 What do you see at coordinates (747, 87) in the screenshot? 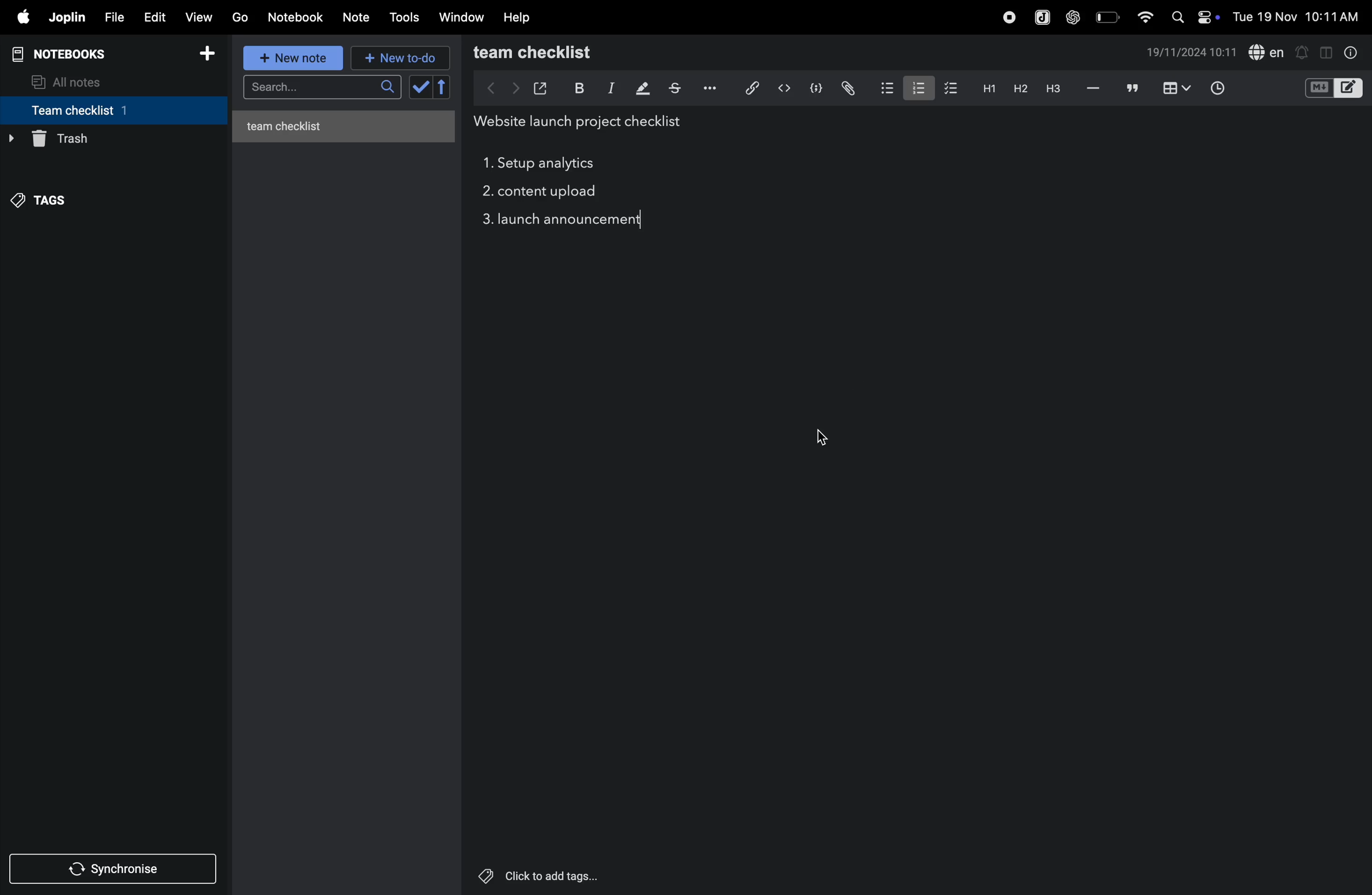
I see `hyperlink` at bounding box center [747, 87].